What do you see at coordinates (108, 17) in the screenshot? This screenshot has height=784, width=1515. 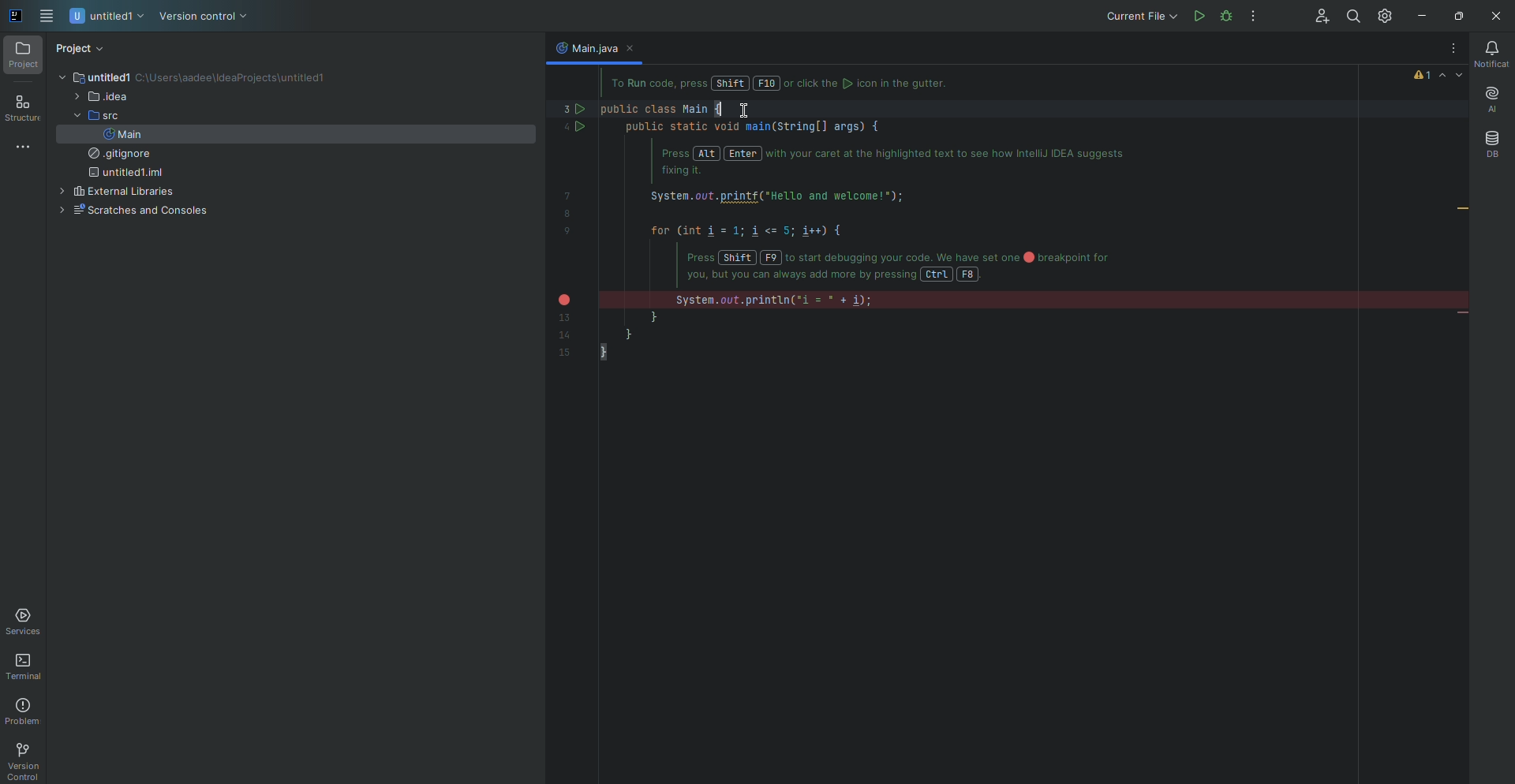 I see `Untitled 1` at bounding box center [108, 17].